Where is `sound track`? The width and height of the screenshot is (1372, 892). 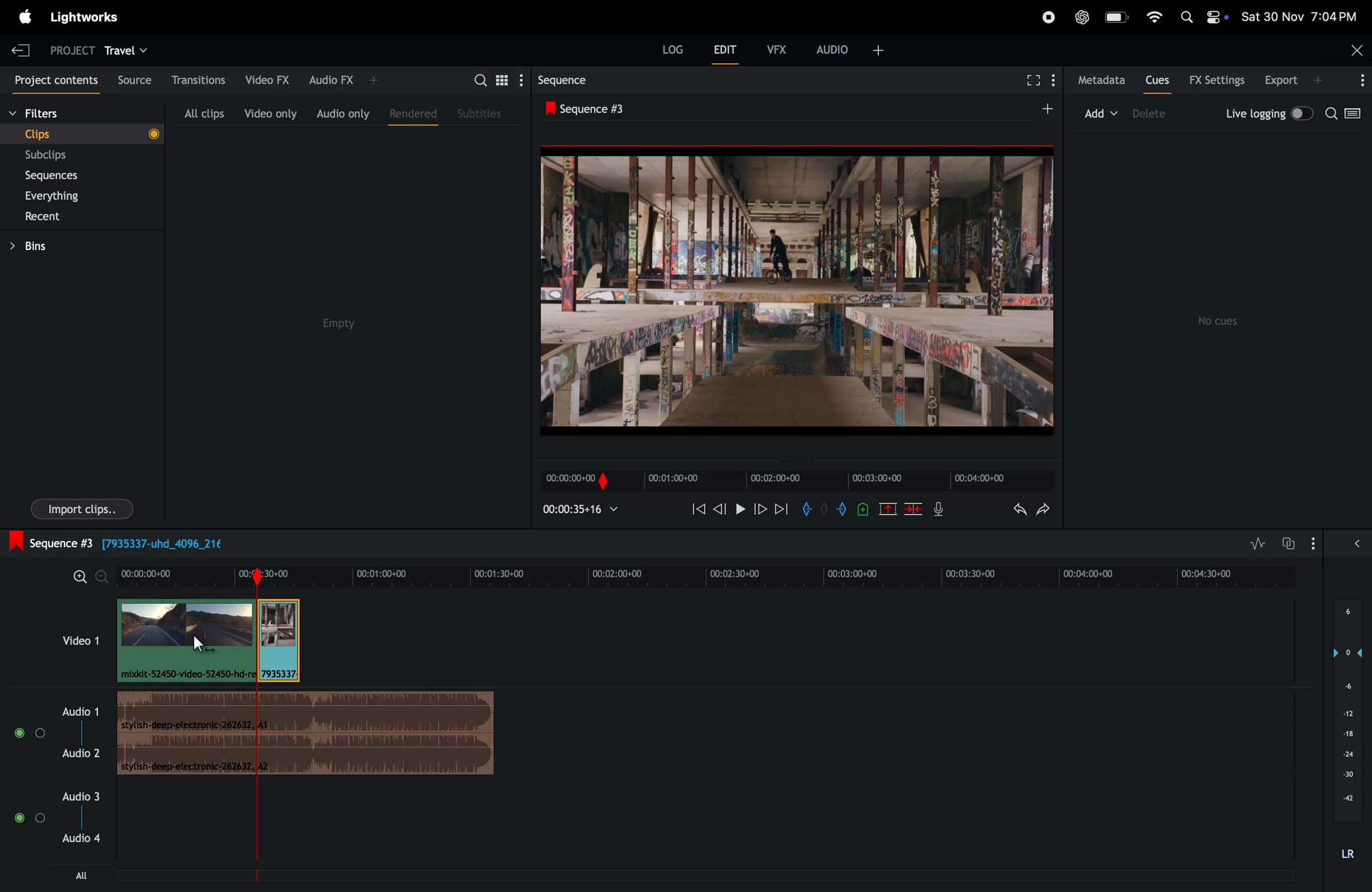 sound track is located at coordinates (307, 736).